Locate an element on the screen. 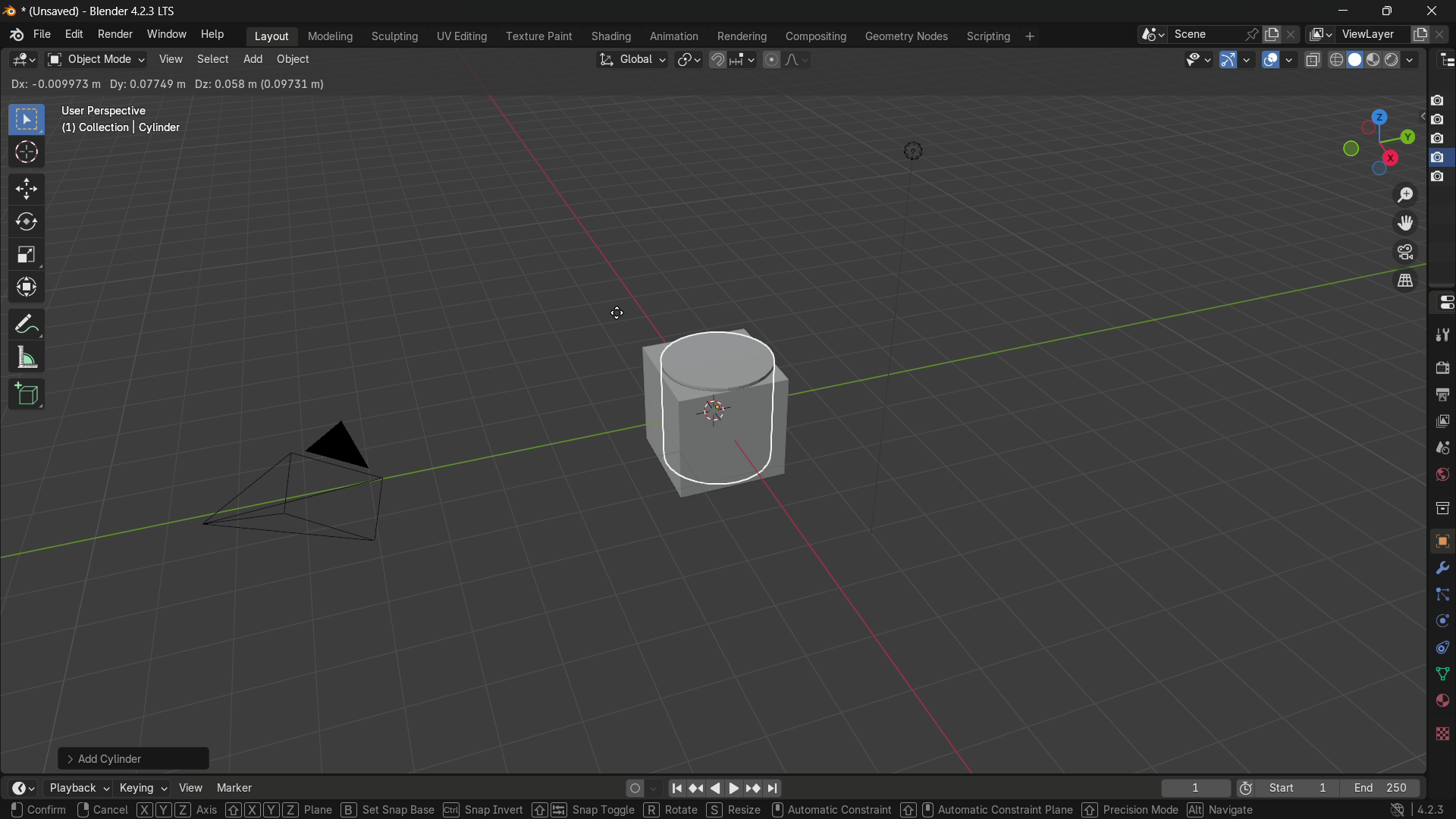 The height and width of the screenshot is (819, 1456). cube is located at coordinates (708, 409).